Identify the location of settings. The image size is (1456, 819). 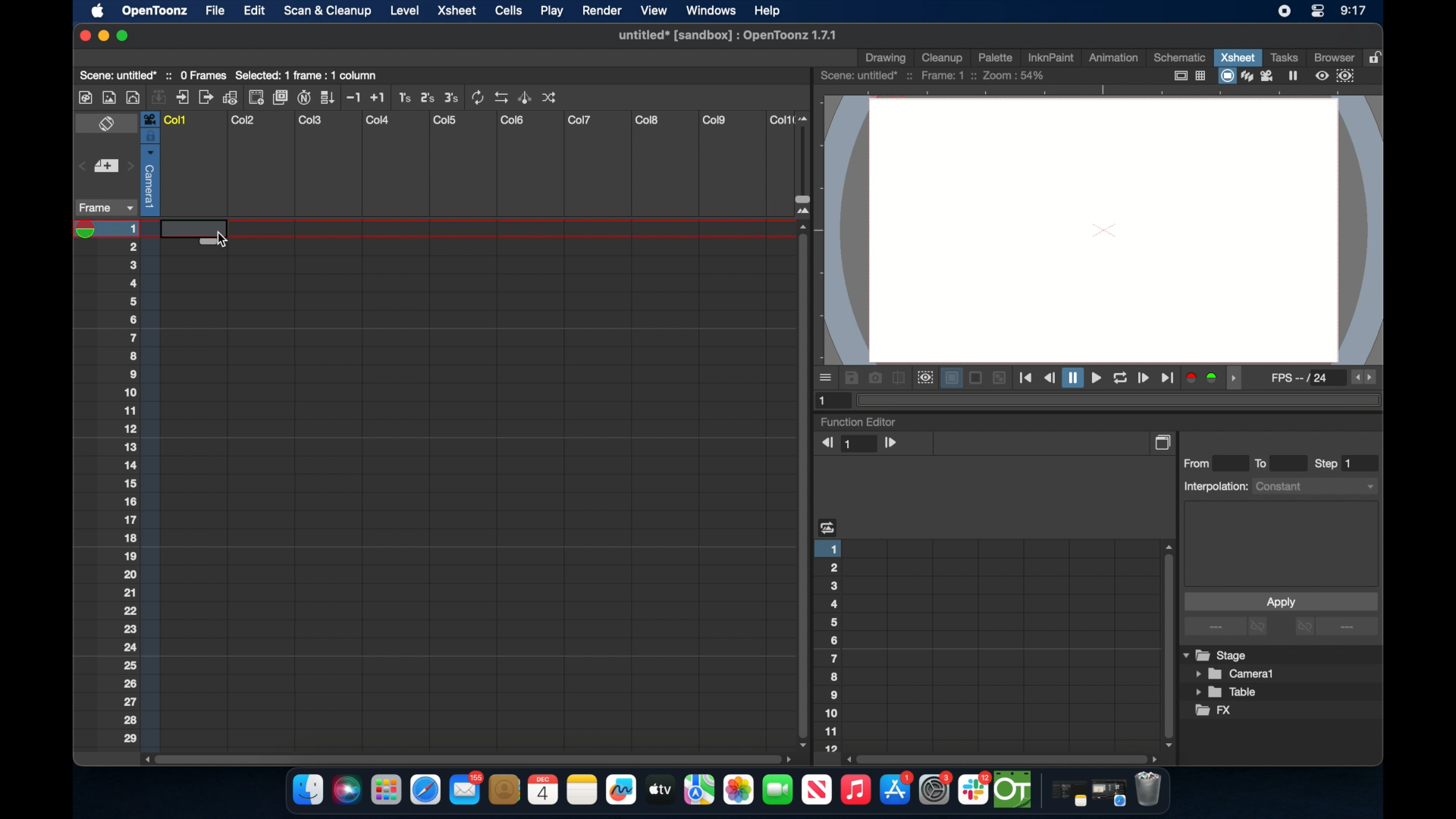
(937, 789).